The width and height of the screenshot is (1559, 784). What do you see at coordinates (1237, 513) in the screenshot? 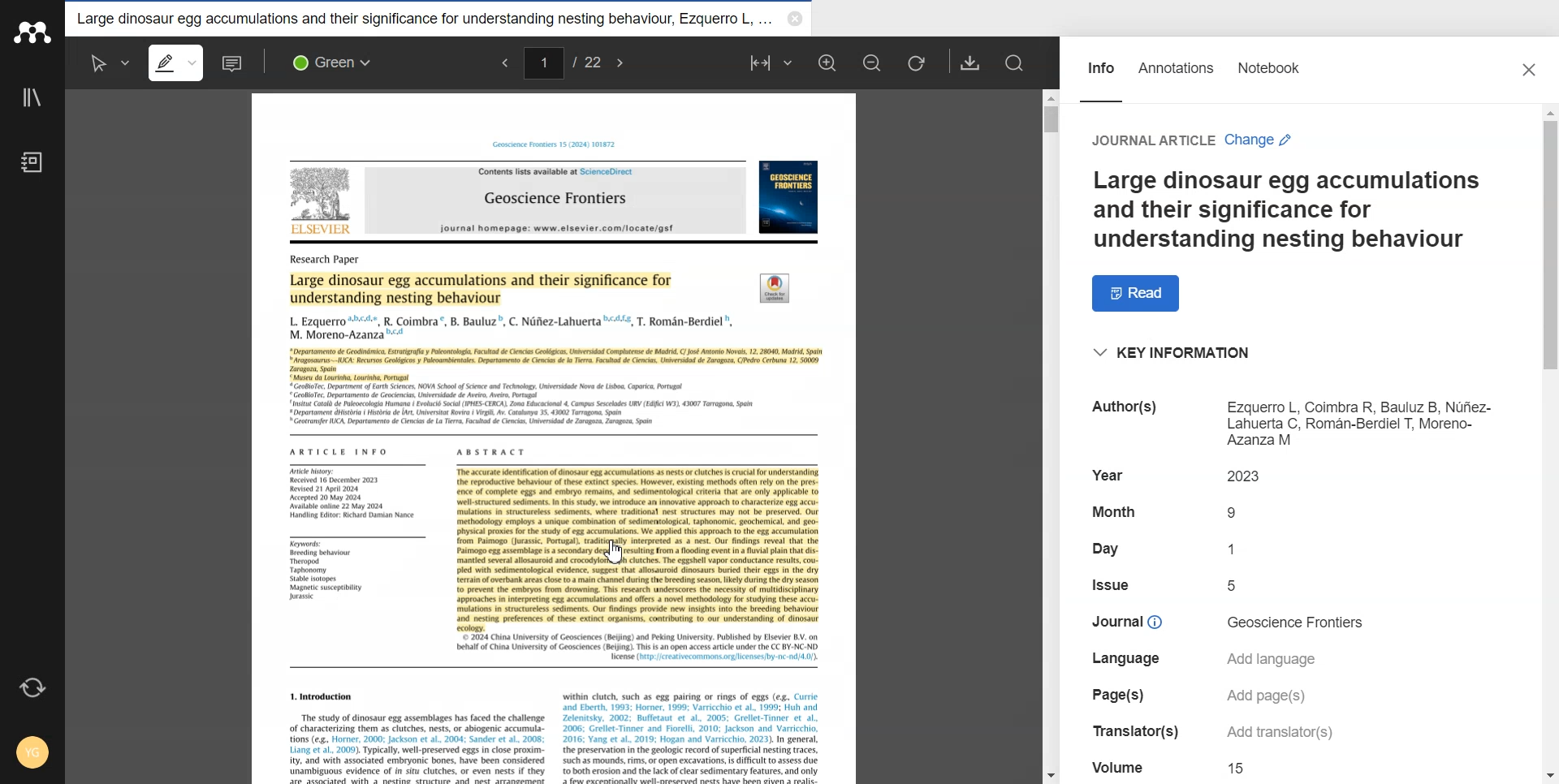
I see `text` at bounding box center [1237, 513].